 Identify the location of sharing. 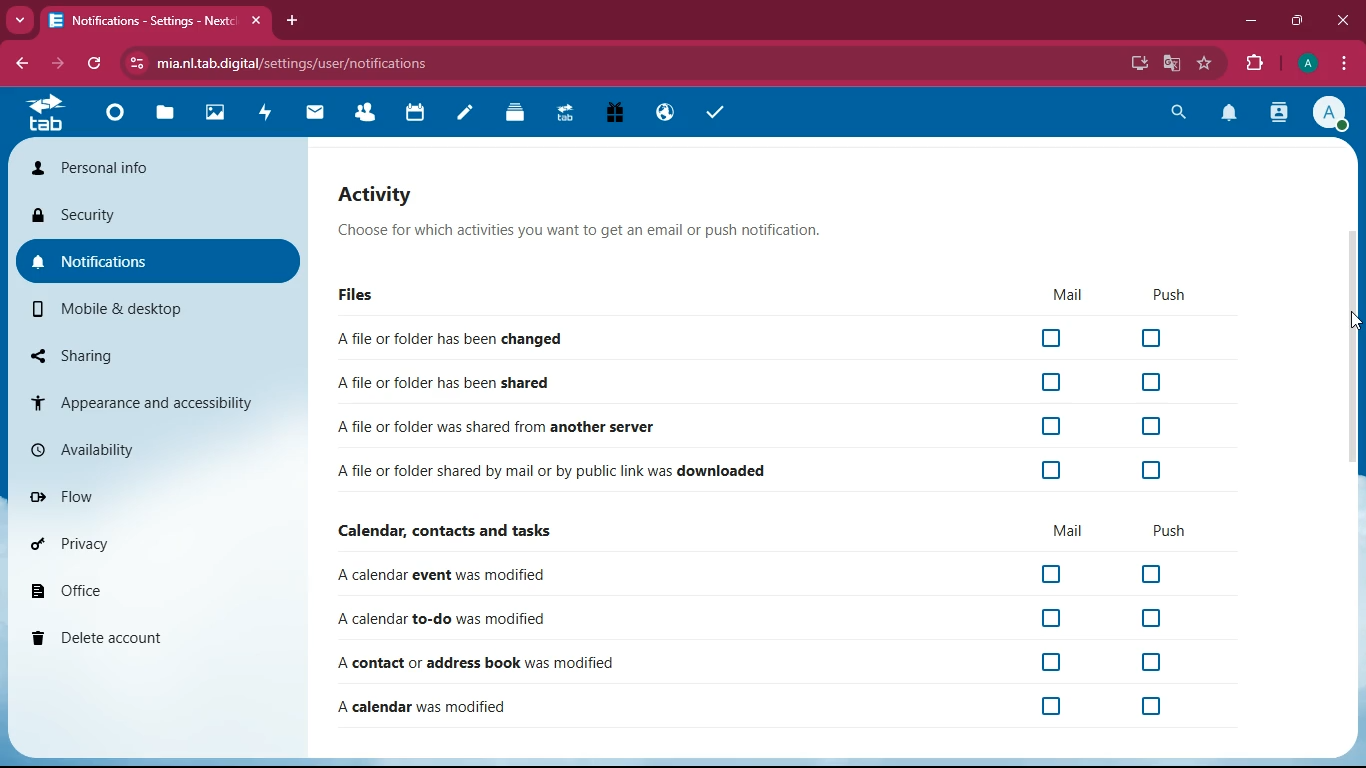
(152, 355).